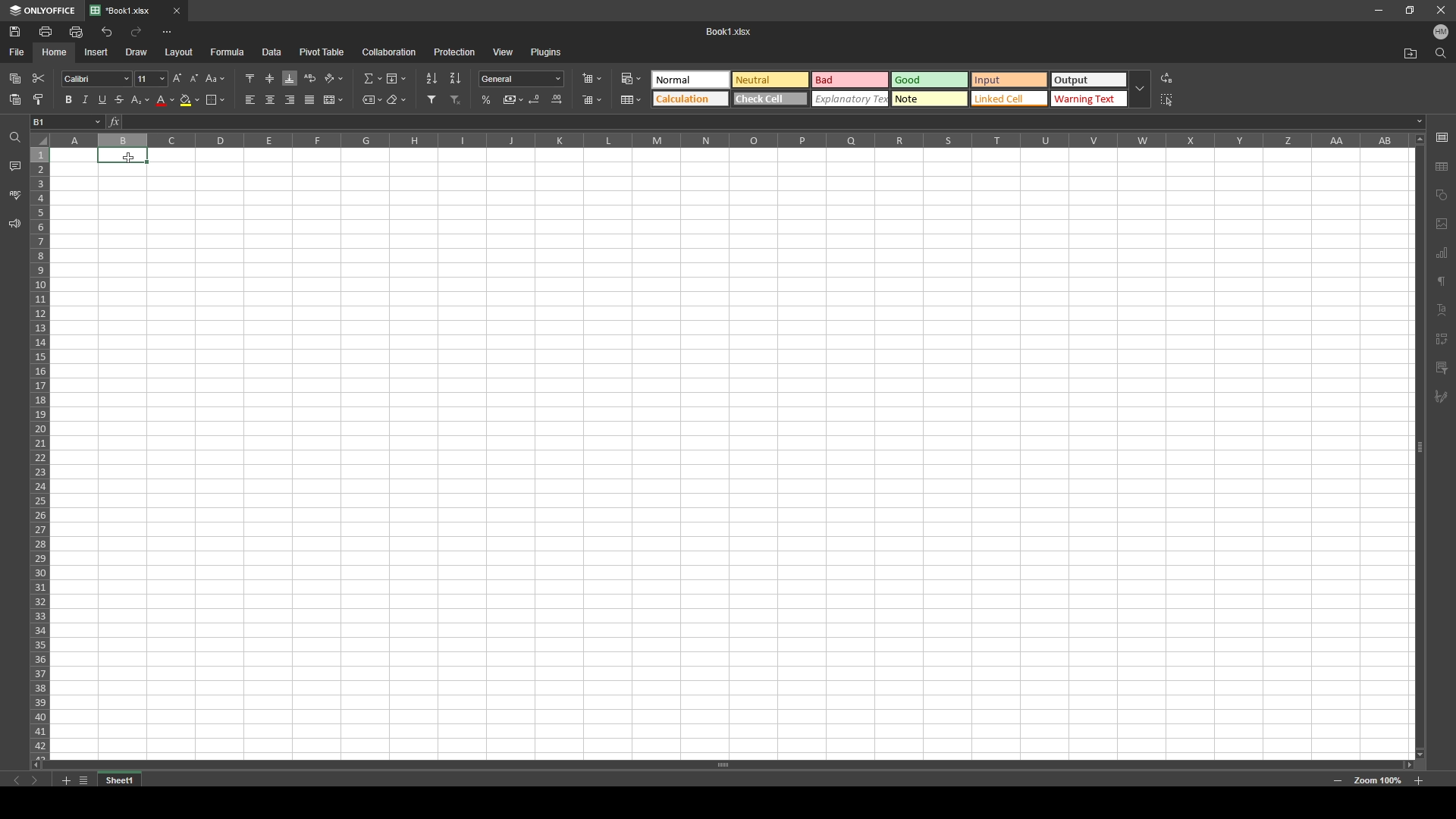 The height and width of the screenshot is (819, 1456). I want to click on data, so click(271, 52).